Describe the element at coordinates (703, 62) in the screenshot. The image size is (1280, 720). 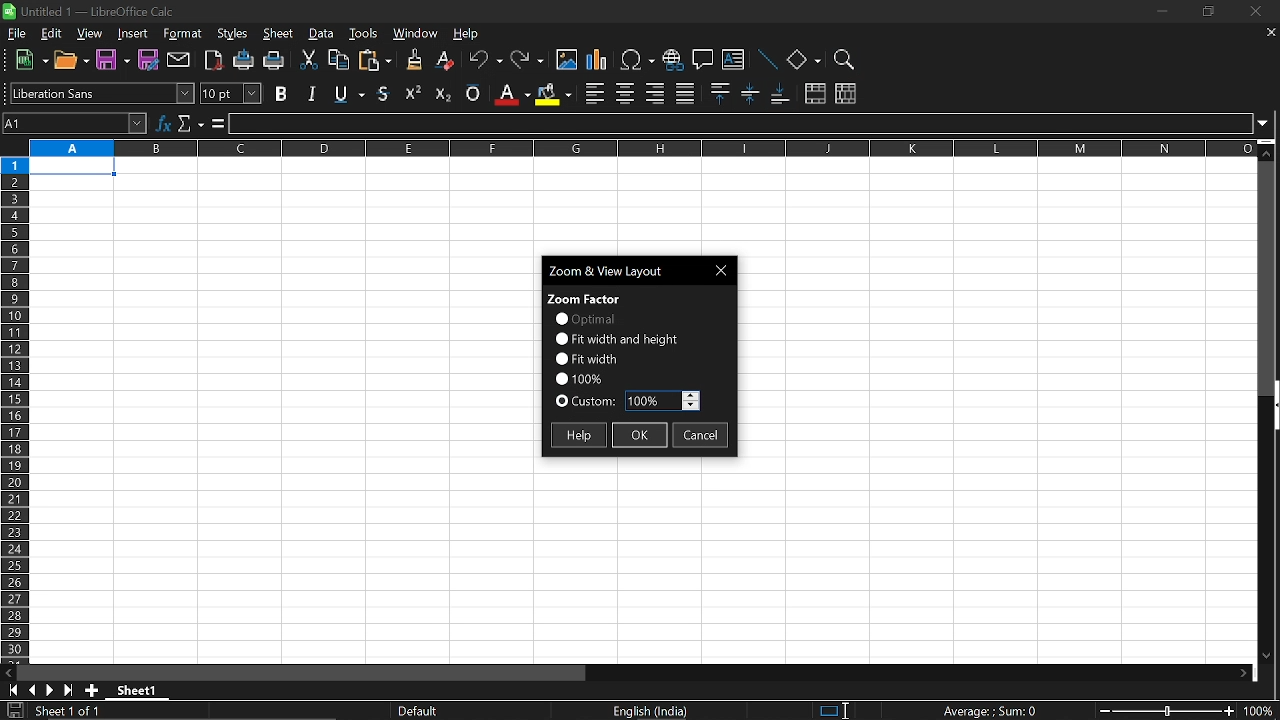
I see `comment` at that location.